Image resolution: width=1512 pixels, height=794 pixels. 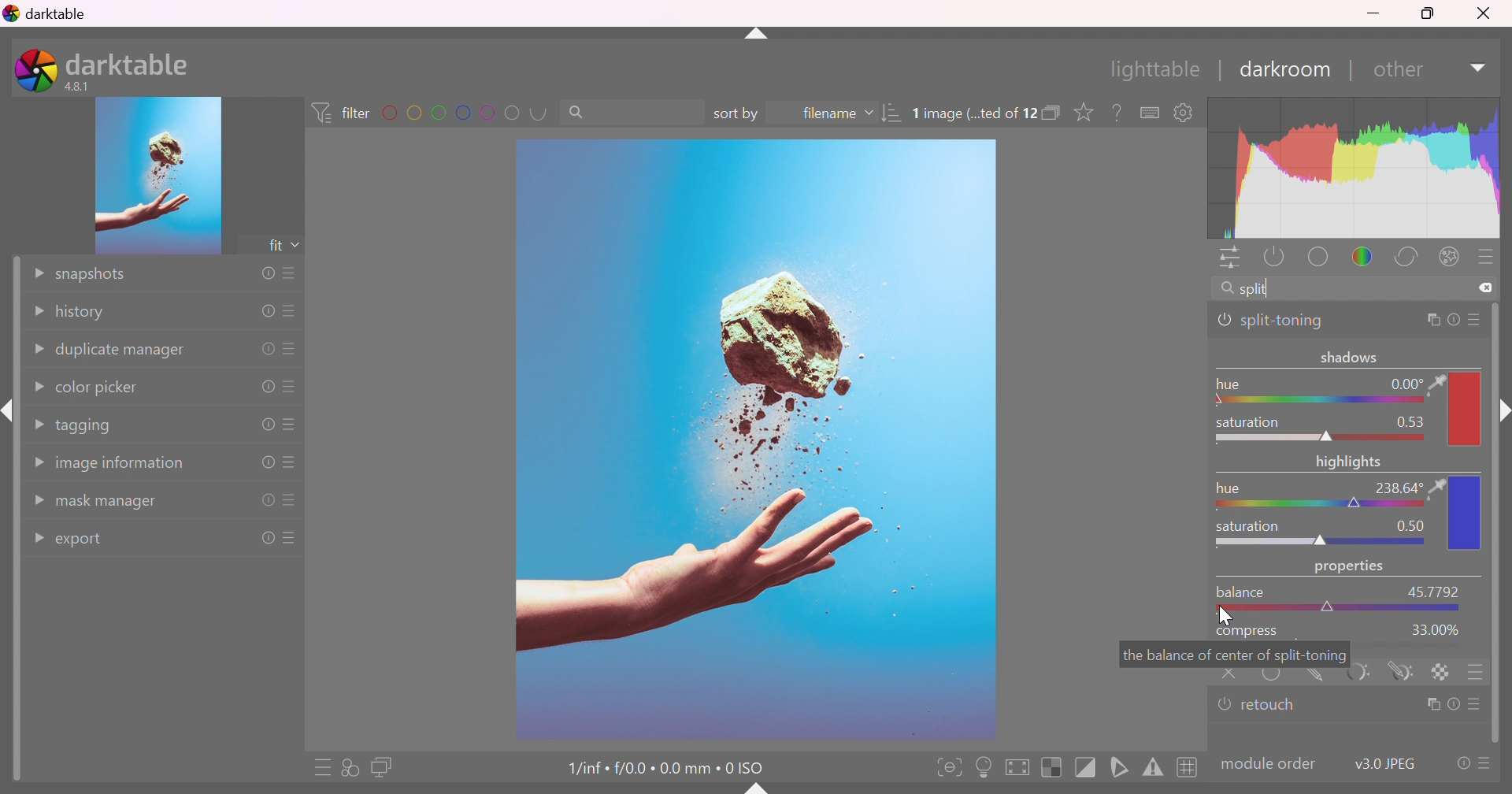 What do you see at coordinates (268, 387) in the screenshot?
I see `reset` at bounding box center [268, 387].